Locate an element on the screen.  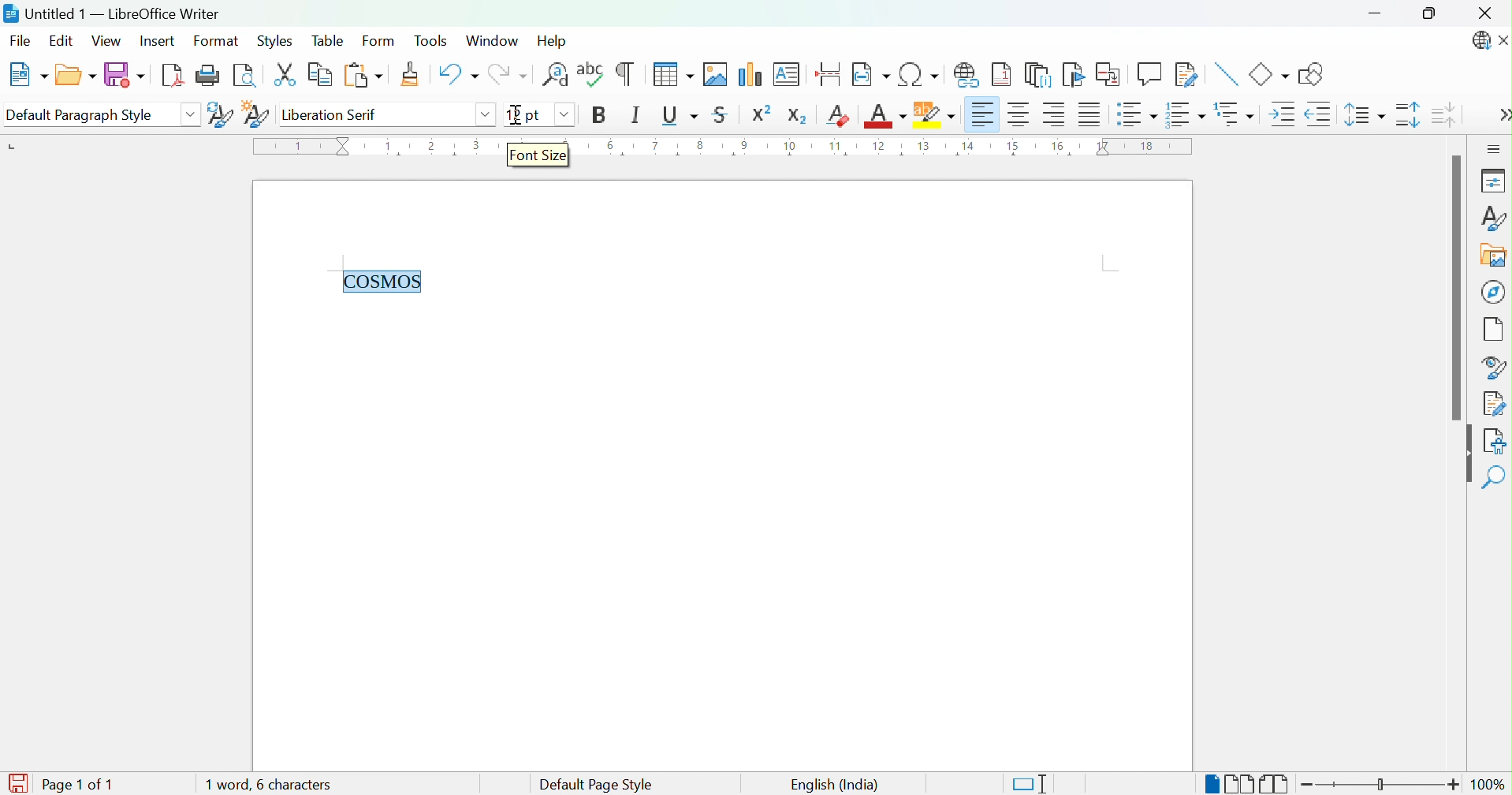
Slider is located at coordinates (1384, 786).